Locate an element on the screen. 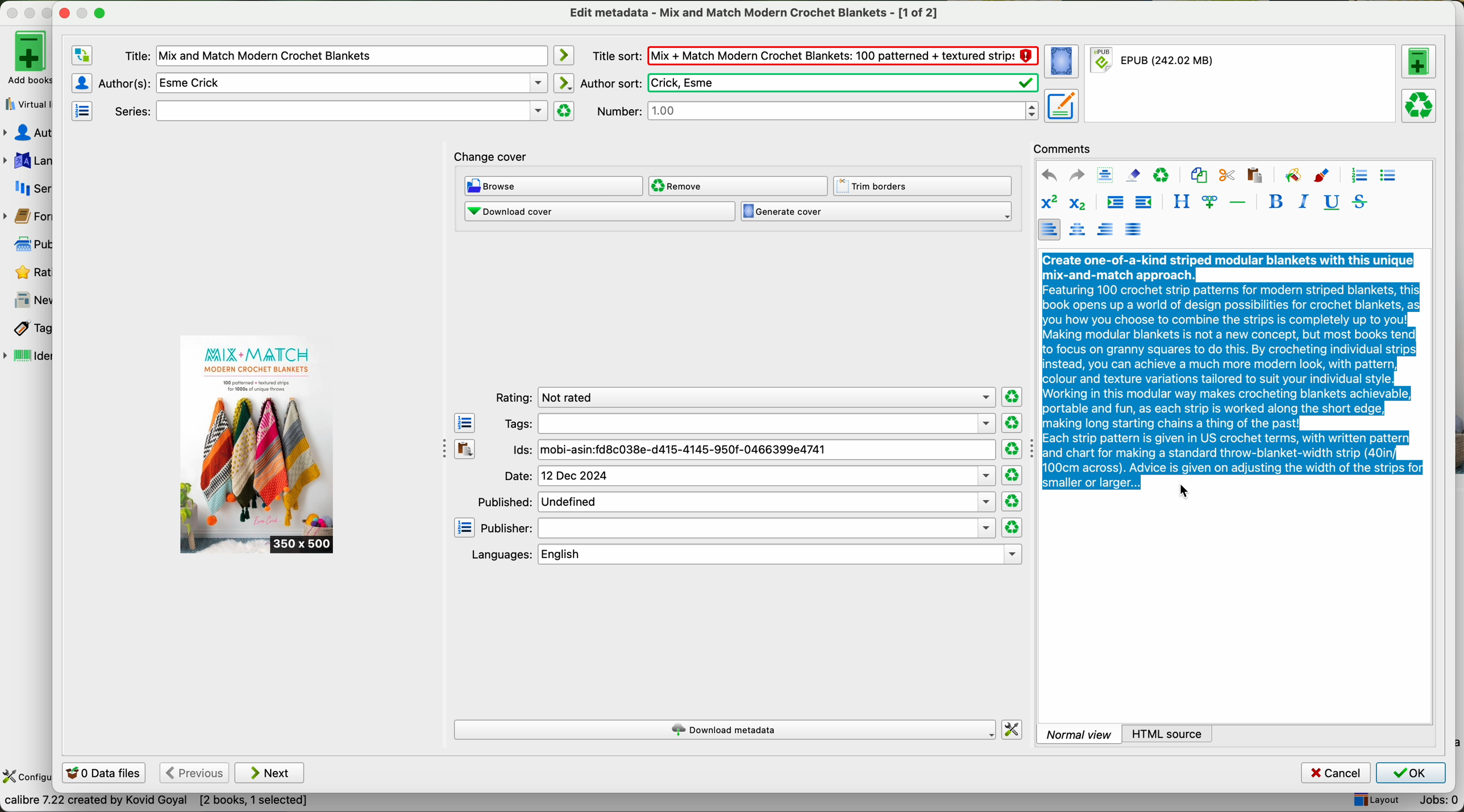  remove formatting is located at coordinates (1133, 174).